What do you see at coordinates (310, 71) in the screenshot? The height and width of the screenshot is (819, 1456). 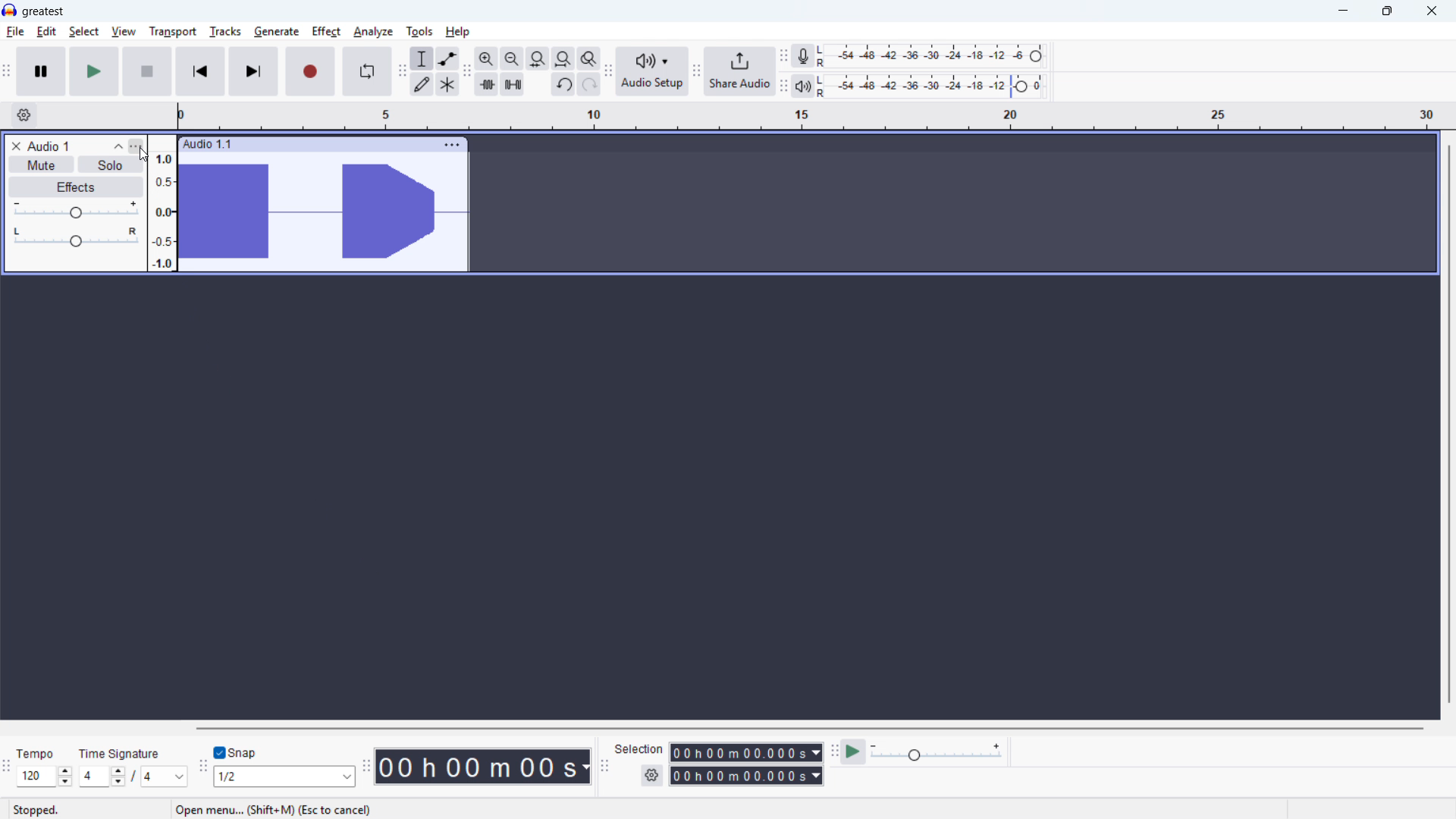 I see `record ` at bounding box center [310, 71].